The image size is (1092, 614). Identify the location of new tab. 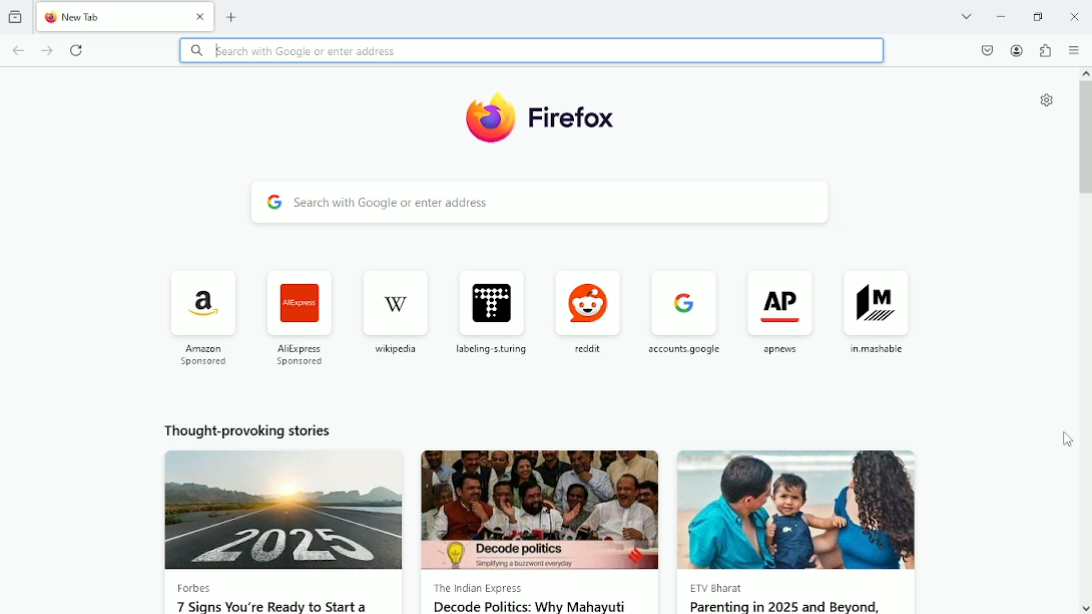
(122, 17).